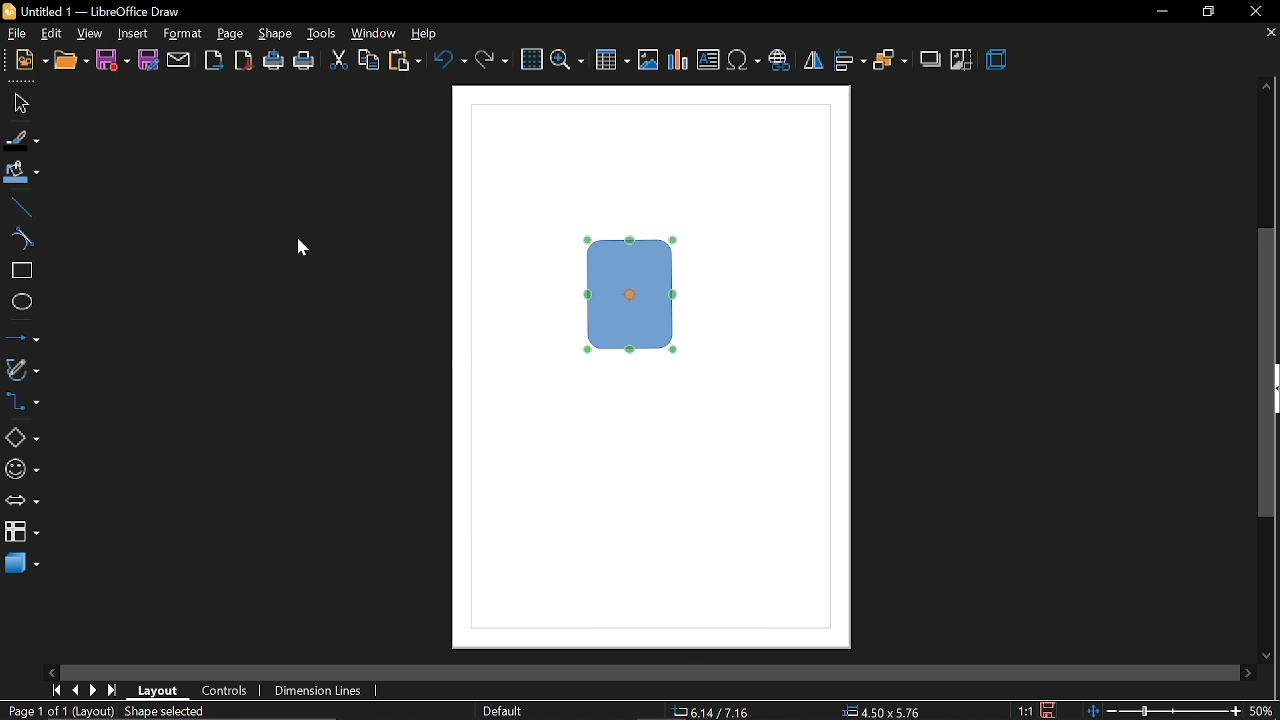 This screenshot has width=1280, height=720. I want to click on next page, so click(94, 691).